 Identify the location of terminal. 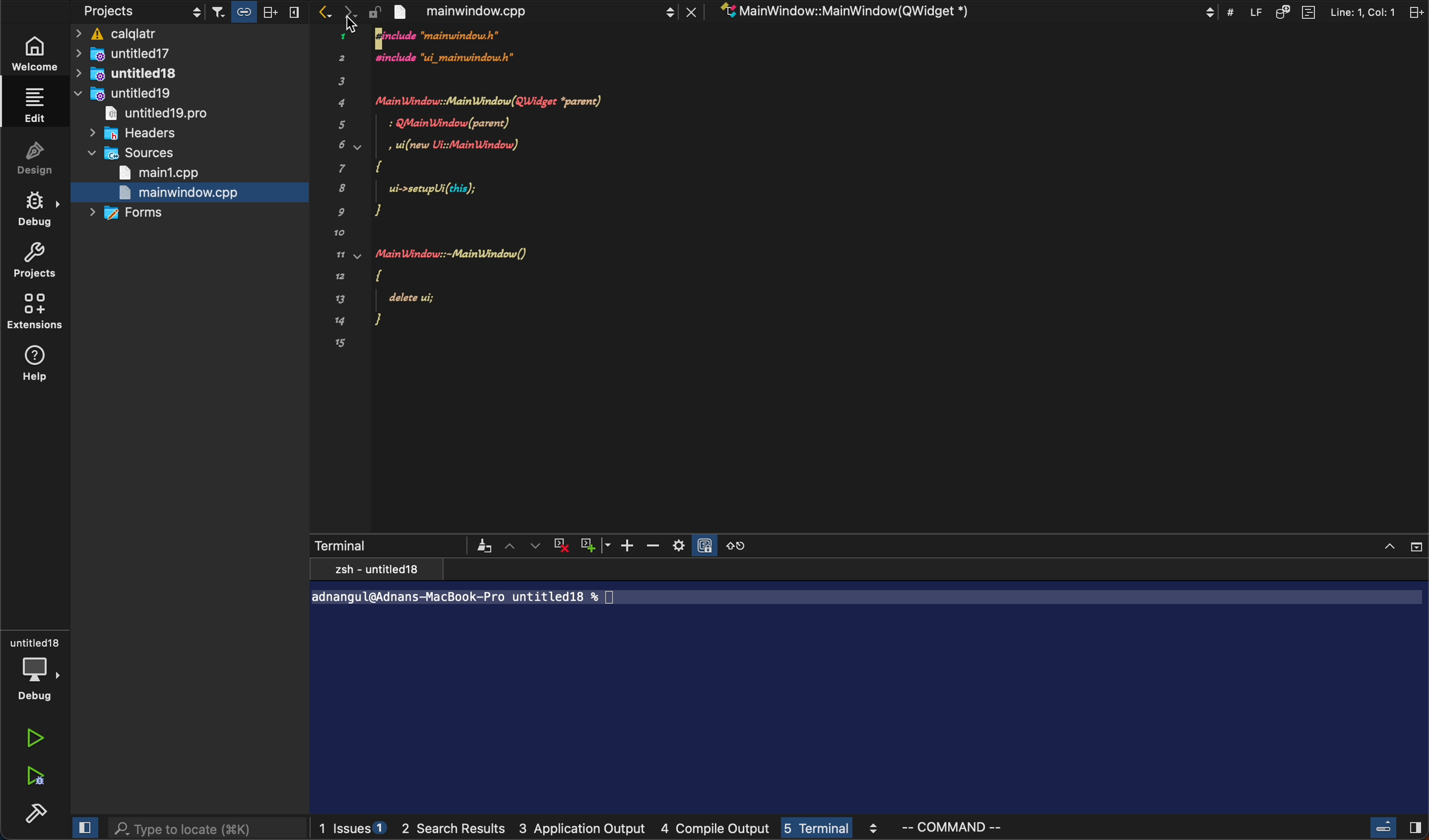
(832, 829).